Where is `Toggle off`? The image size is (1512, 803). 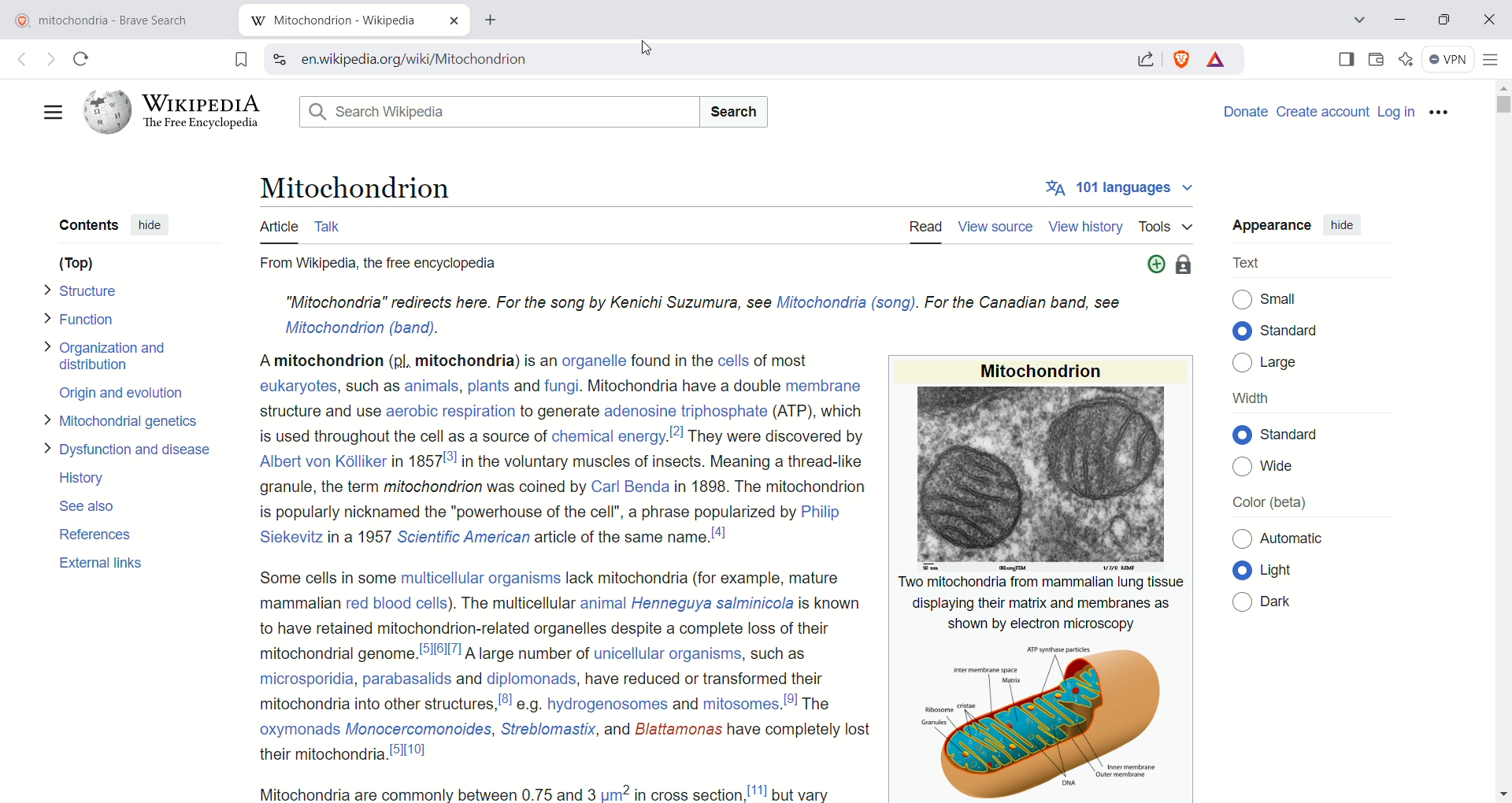
Toggle off is located at coordinates (1241, 364).